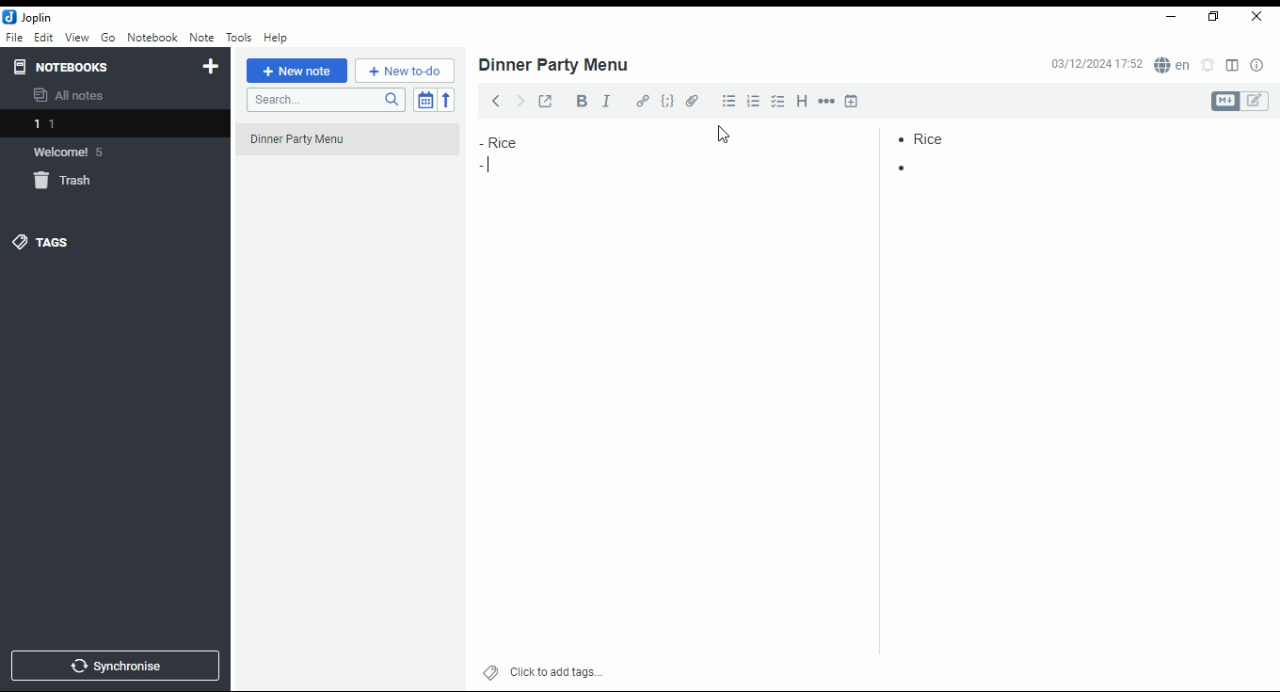 The width and height of the screenshot is (1280, 692). I want to click on edit, so click(1257, 101).